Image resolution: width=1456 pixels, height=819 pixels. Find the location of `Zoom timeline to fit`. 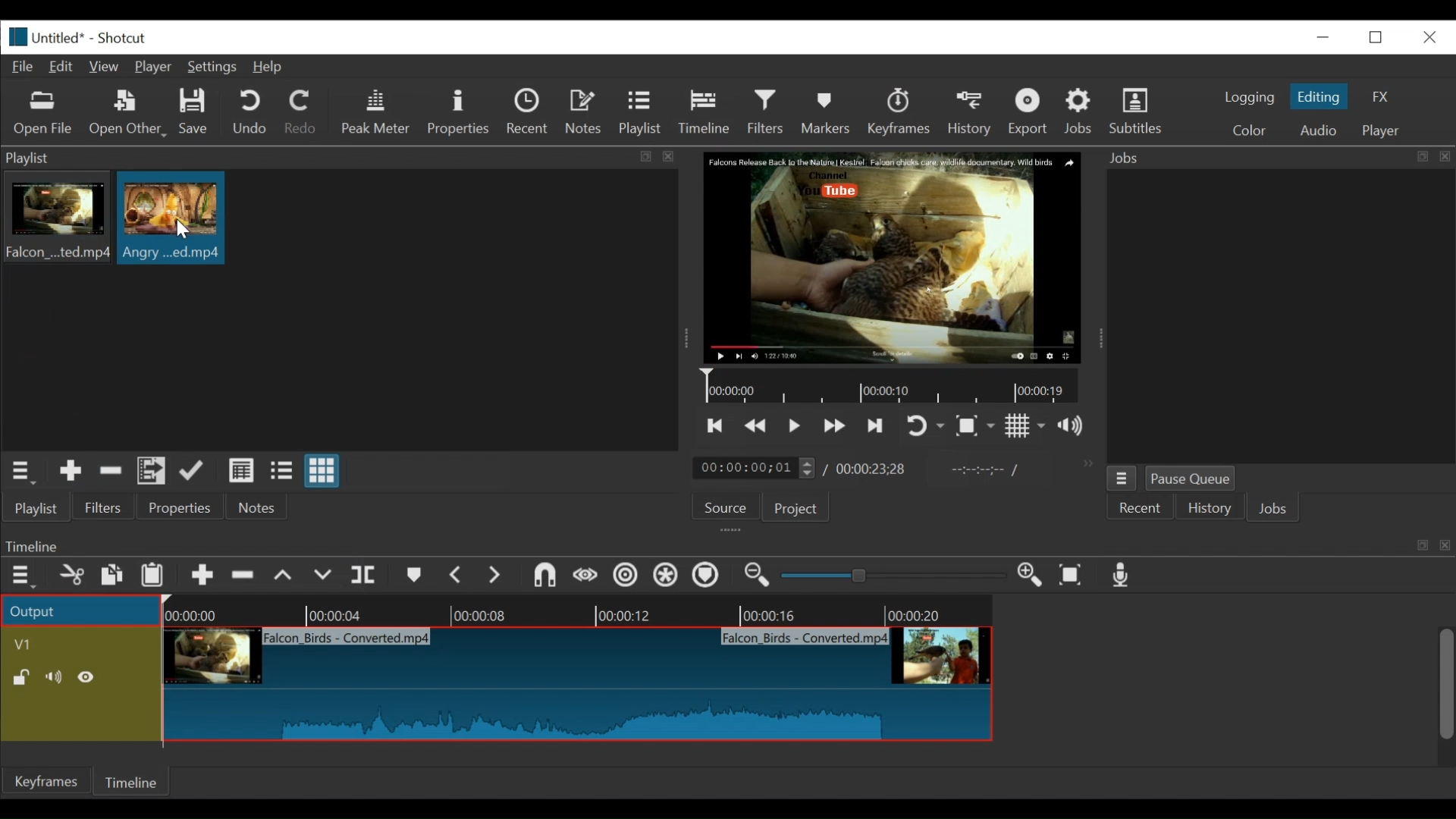

Zoom timeline to fit is located at coordinates (1075, 576).